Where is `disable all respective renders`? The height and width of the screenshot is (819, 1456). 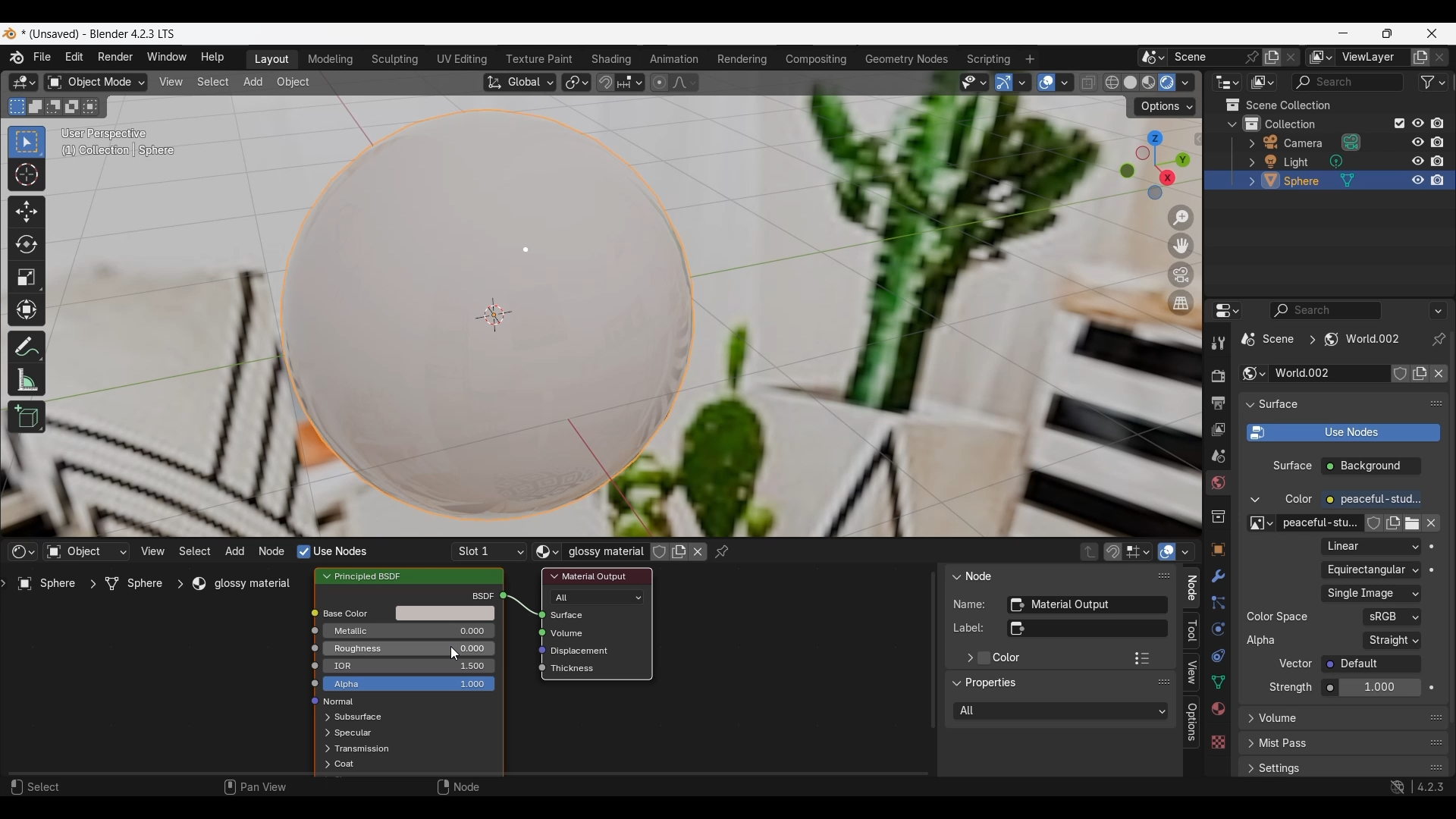 disable all respective renders is located at coordinates (1443, 180).